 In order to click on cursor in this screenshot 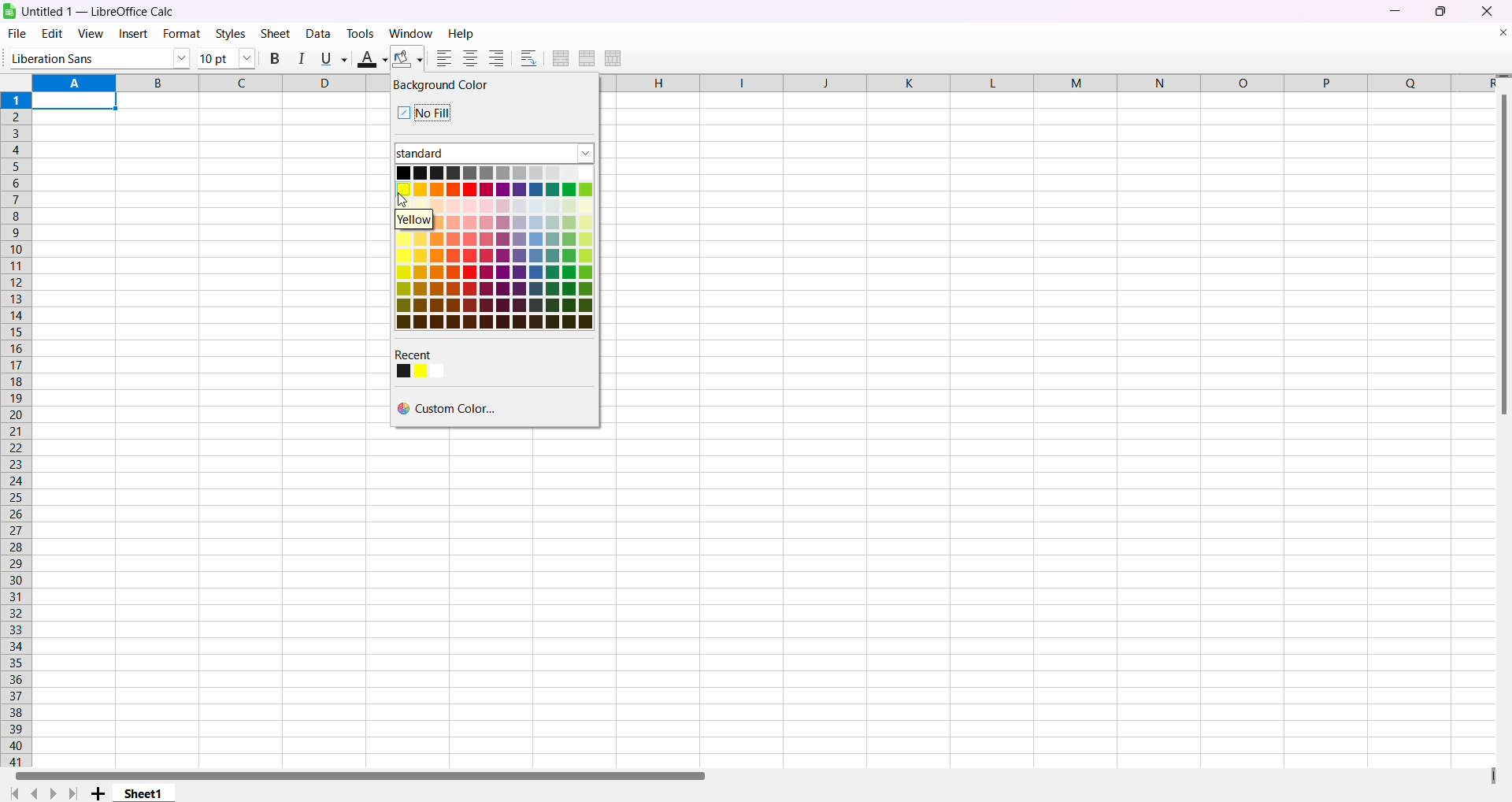, I will do `click(404, 200)`.